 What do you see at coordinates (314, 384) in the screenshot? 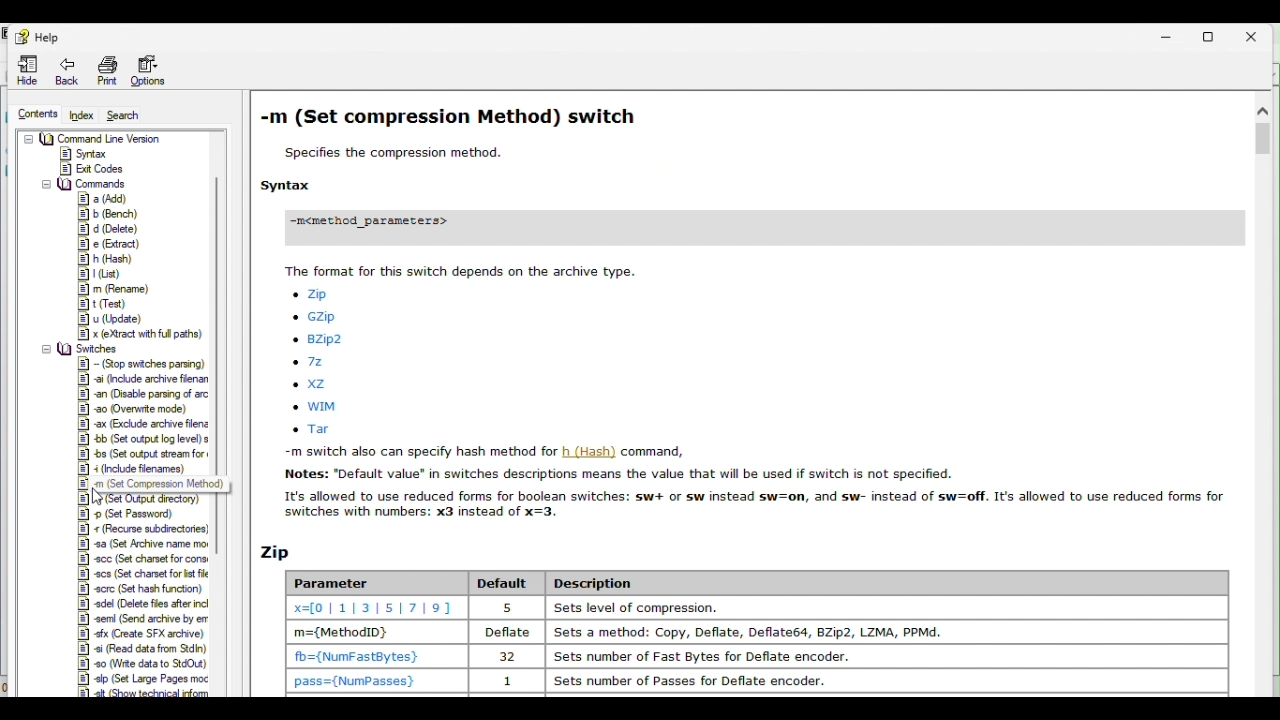
I see `xz` at bounding box center [314, 384].